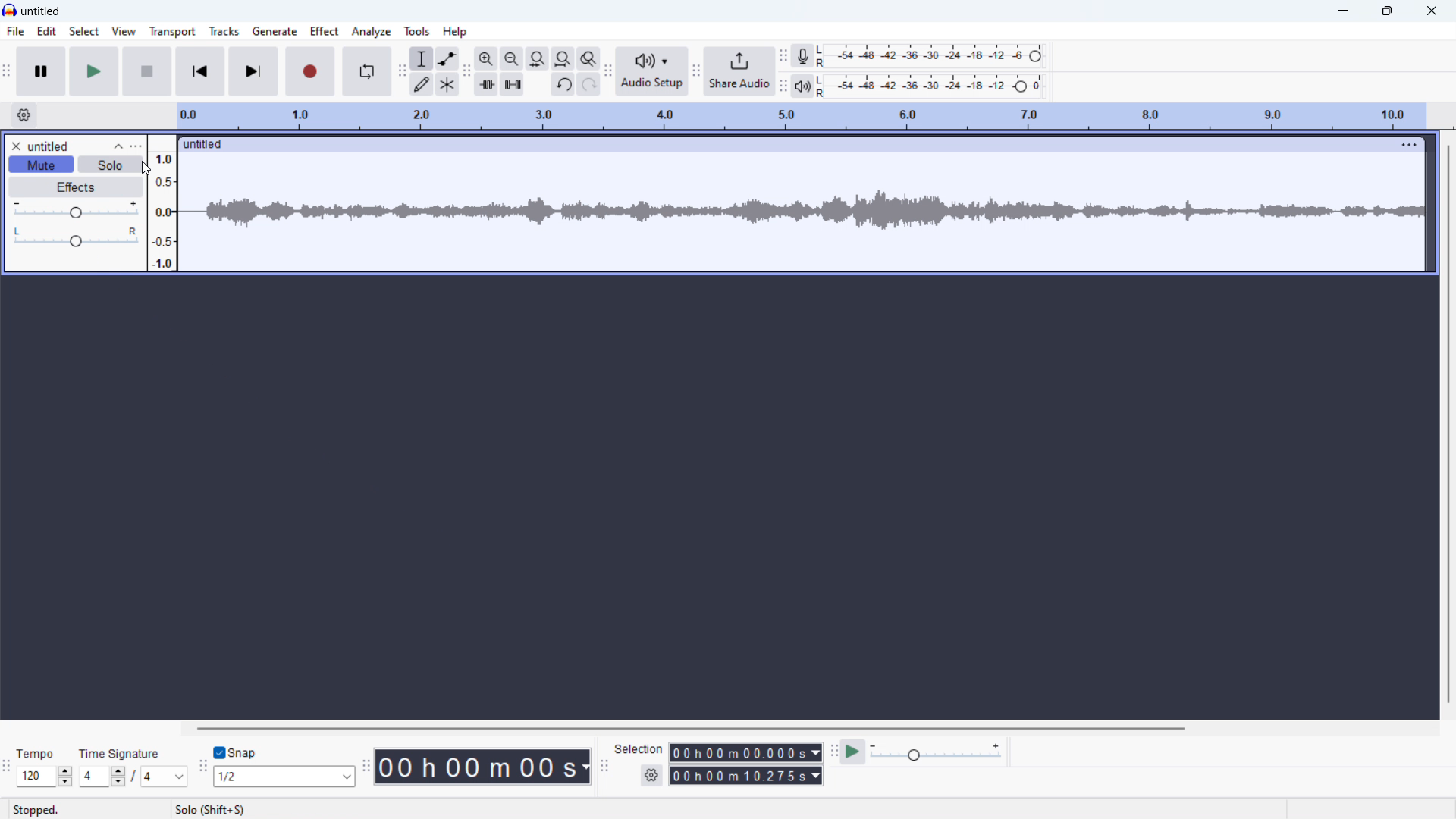 Image resolution: width=1456 pixels, height=819 pixels. Describe the element at coordinates (125, 31) in the screenshot. I see `view` at that location.